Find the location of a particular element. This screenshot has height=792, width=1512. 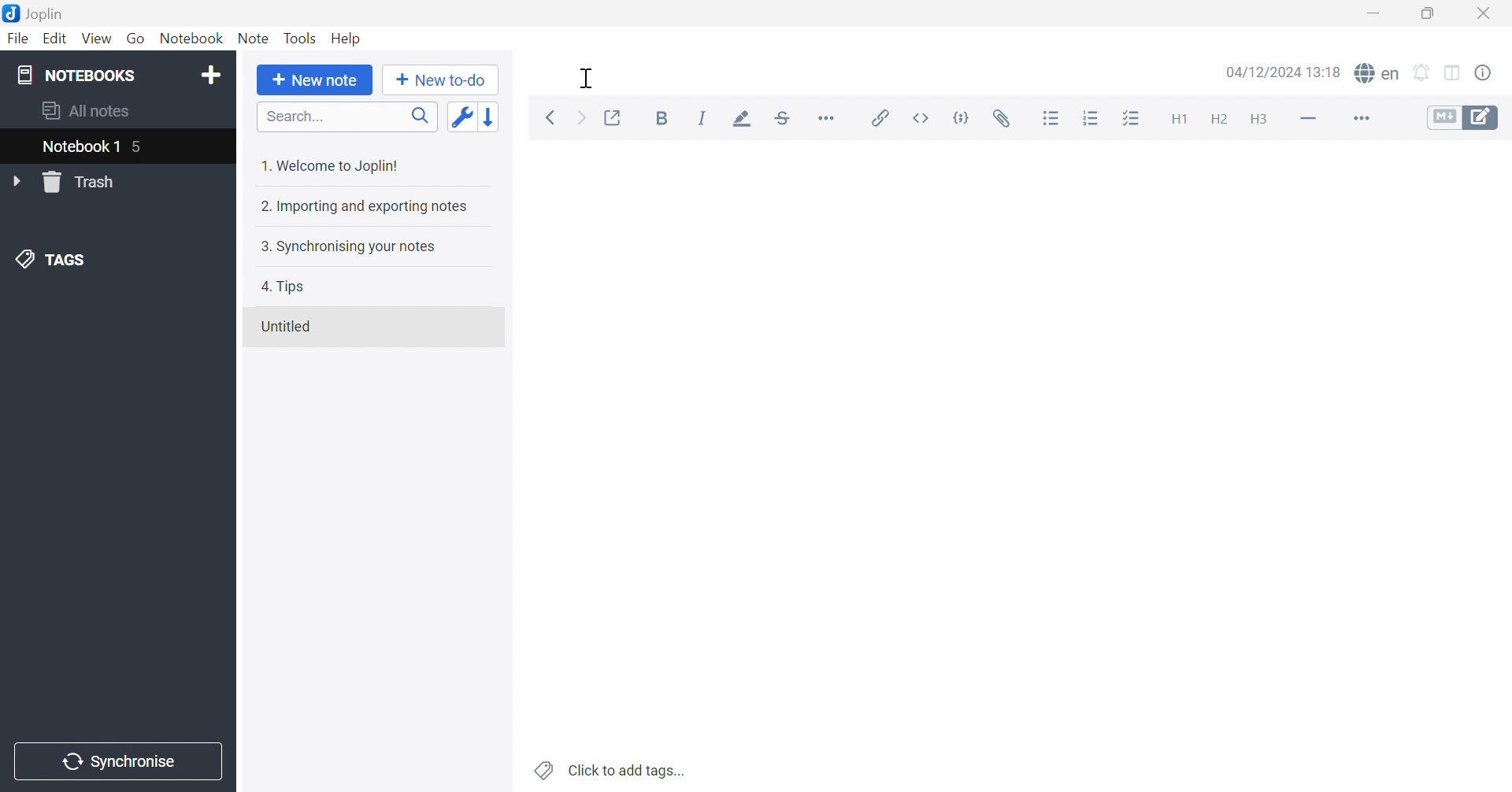

Search is located at coordinates (346, 116).